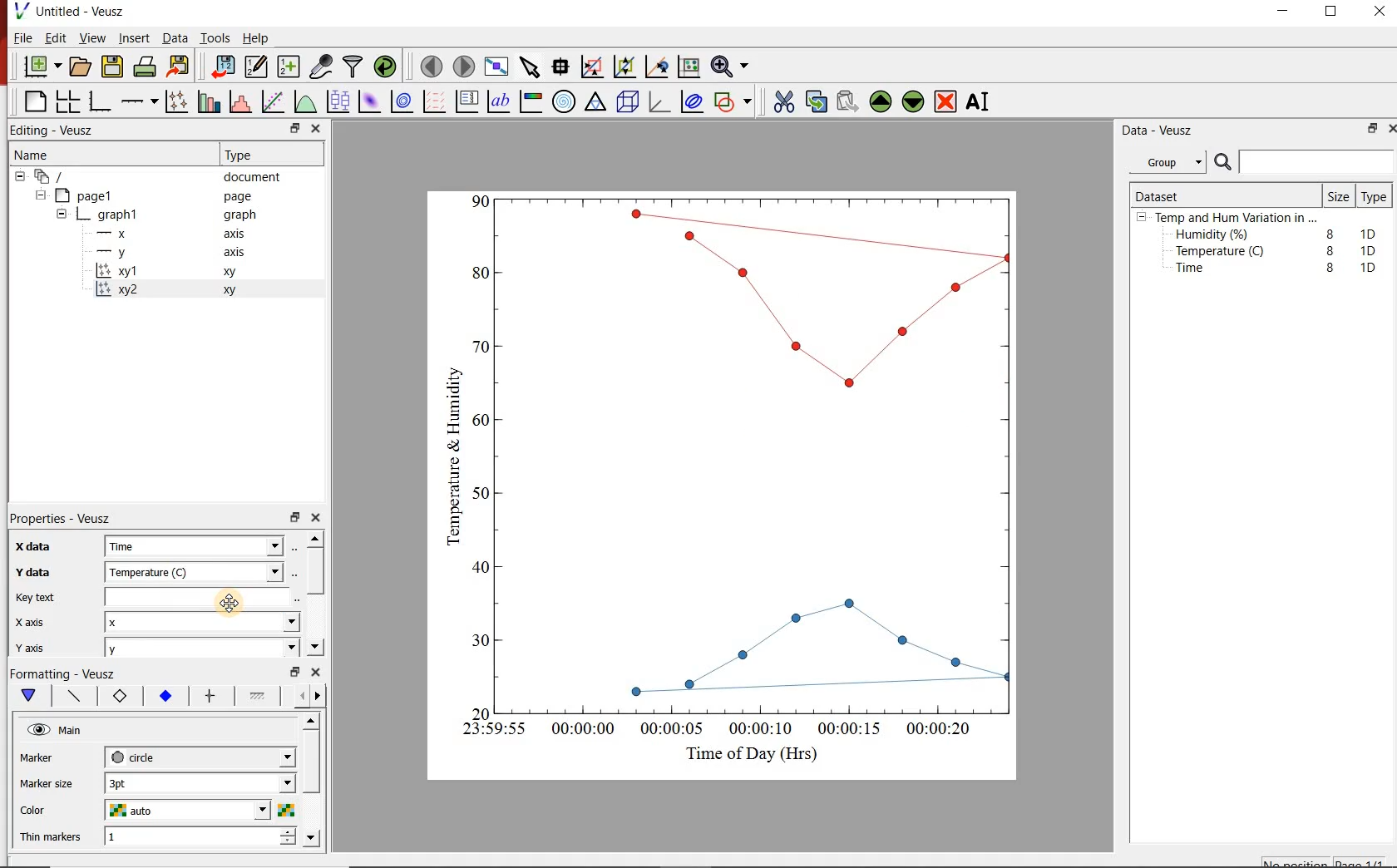 This screenshot has width=1397, height=868. I want to click on 1D, so click(1368, 267).